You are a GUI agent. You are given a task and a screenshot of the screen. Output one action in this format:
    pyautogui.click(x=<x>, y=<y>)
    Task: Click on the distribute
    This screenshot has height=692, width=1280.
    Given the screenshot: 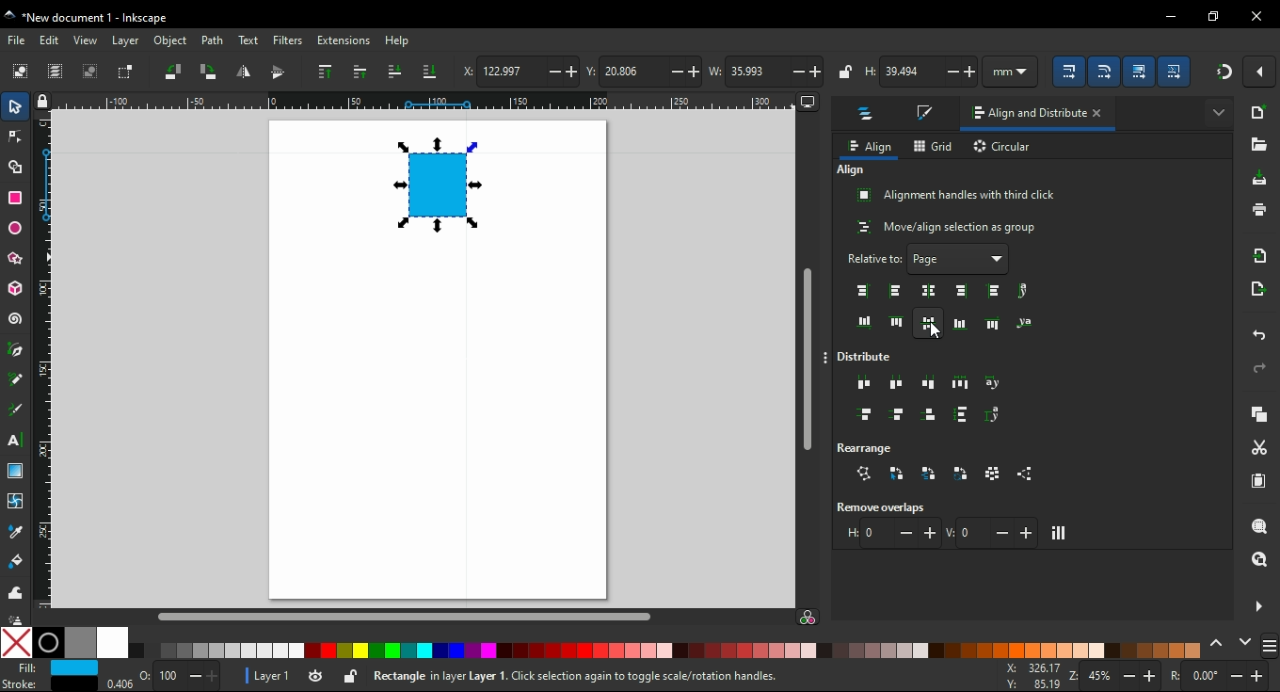 What is the action you would take?
    pyautogui.click(x=870, y=357)
    